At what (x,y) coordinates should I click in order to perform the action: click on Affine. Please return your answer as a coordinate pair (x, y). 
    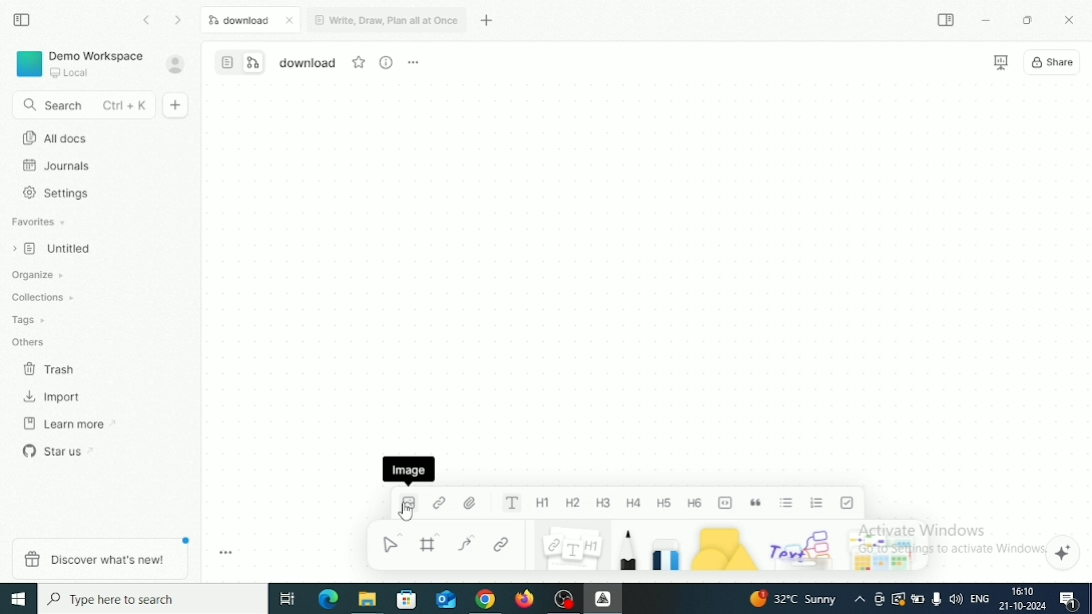
    Looking at the image, I should click on (603, 598).